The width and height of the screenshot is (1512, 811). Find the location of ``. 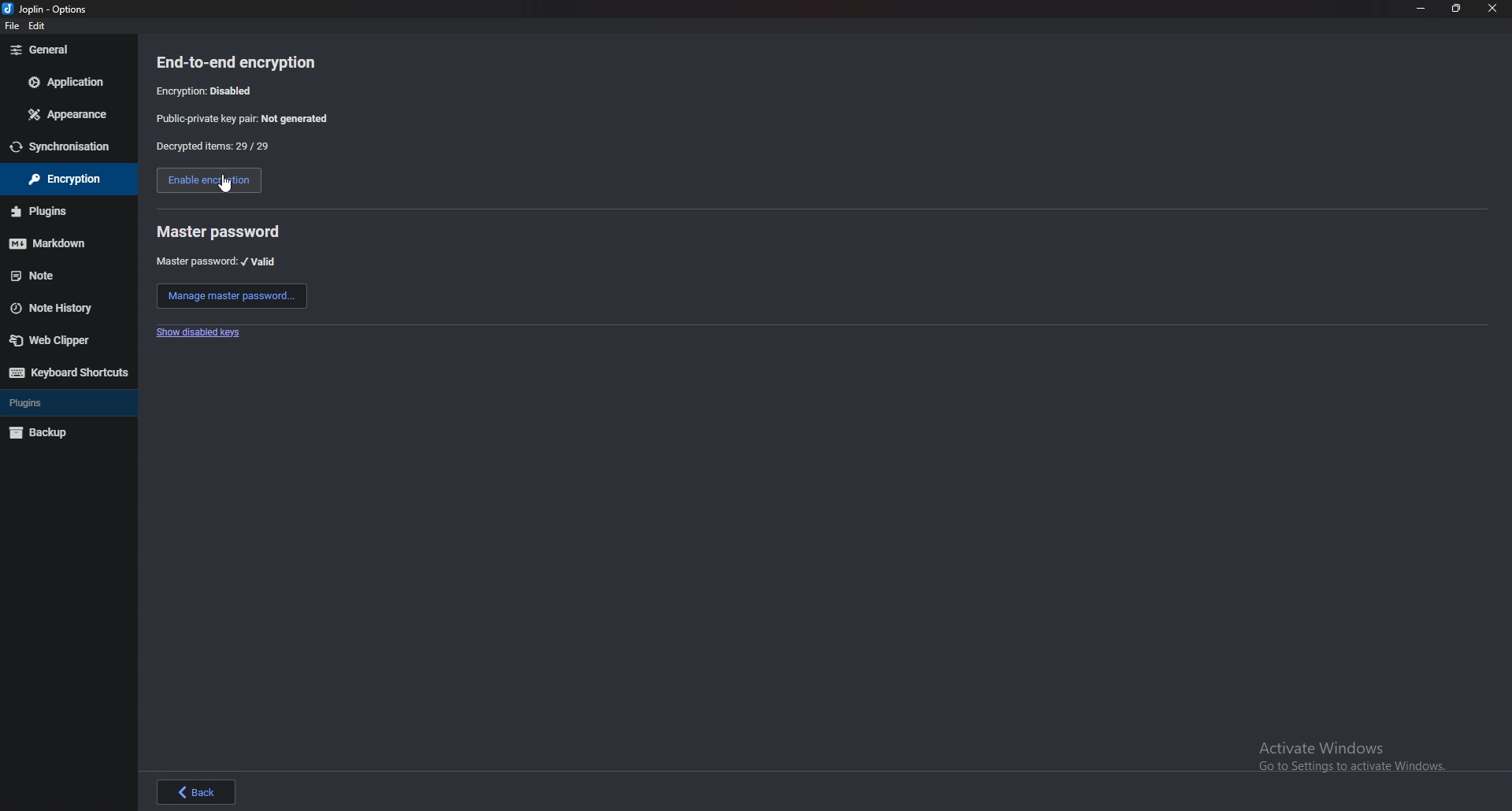

 is located at coordinates (200, 791).